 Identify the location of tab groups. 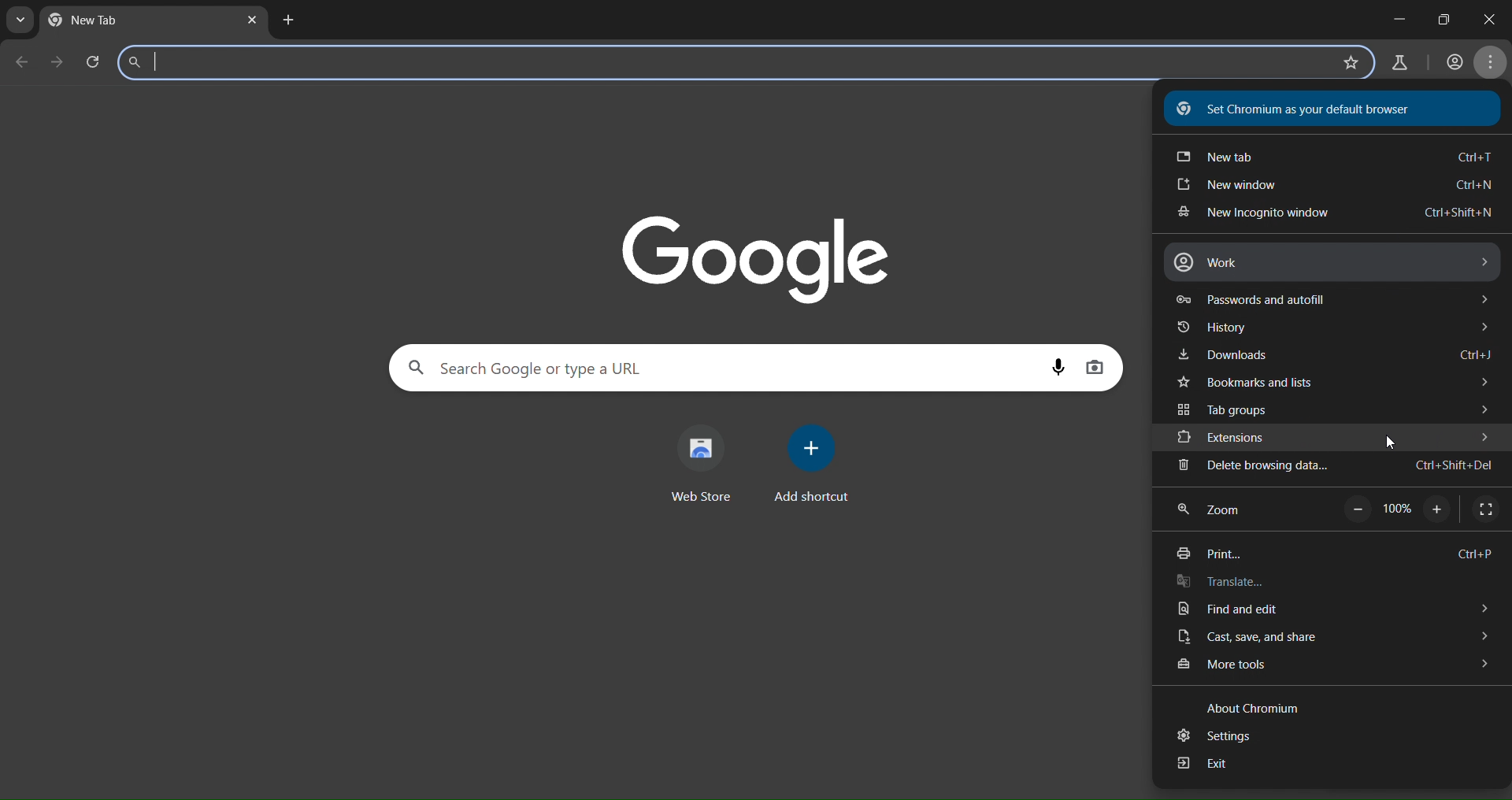
(1336, 407).